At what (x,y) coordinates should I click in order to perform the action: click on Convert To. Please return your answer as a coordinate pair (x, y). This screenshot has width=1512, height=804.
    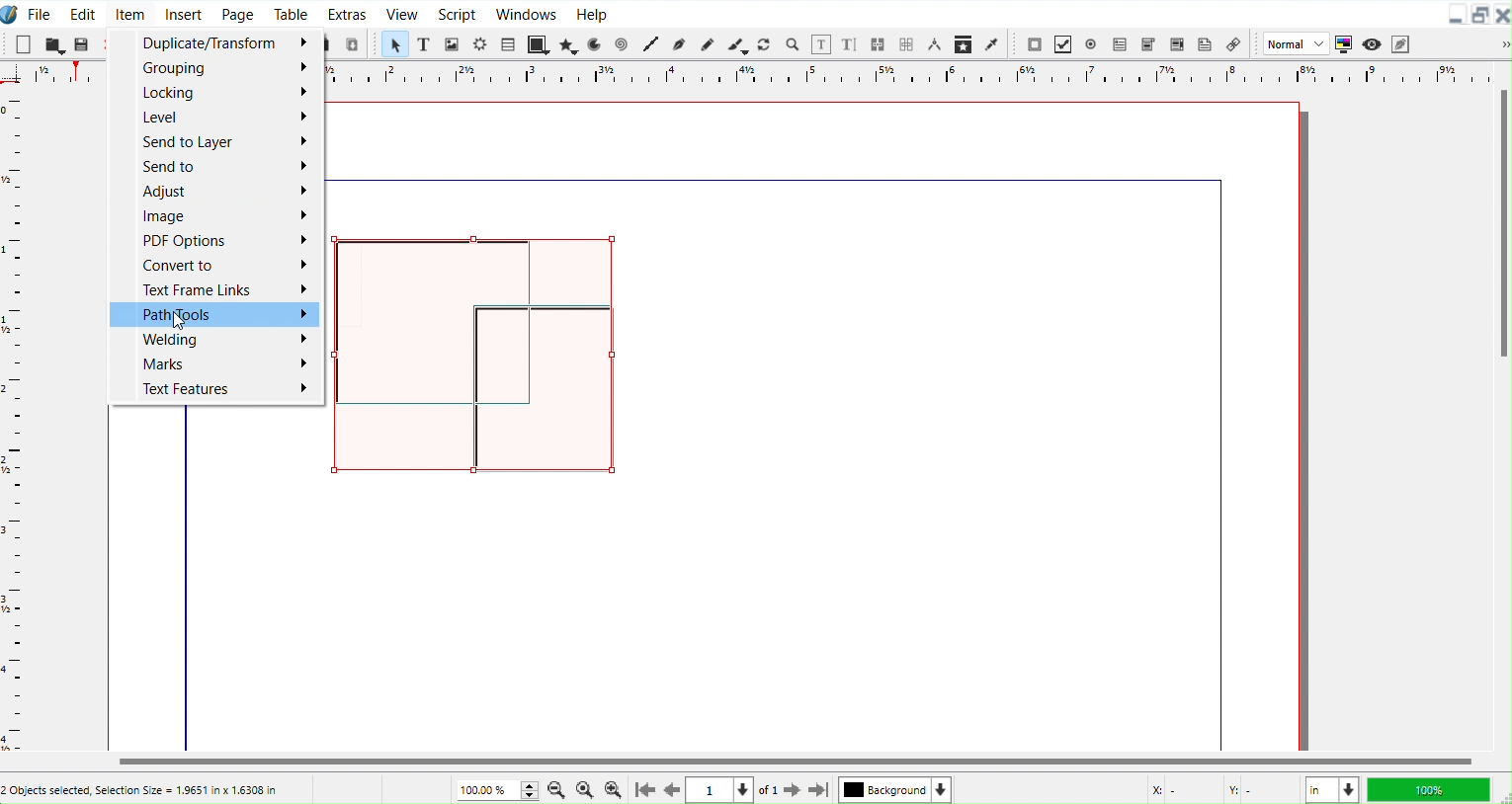
    Looking at the image, I should click on (213, 264).